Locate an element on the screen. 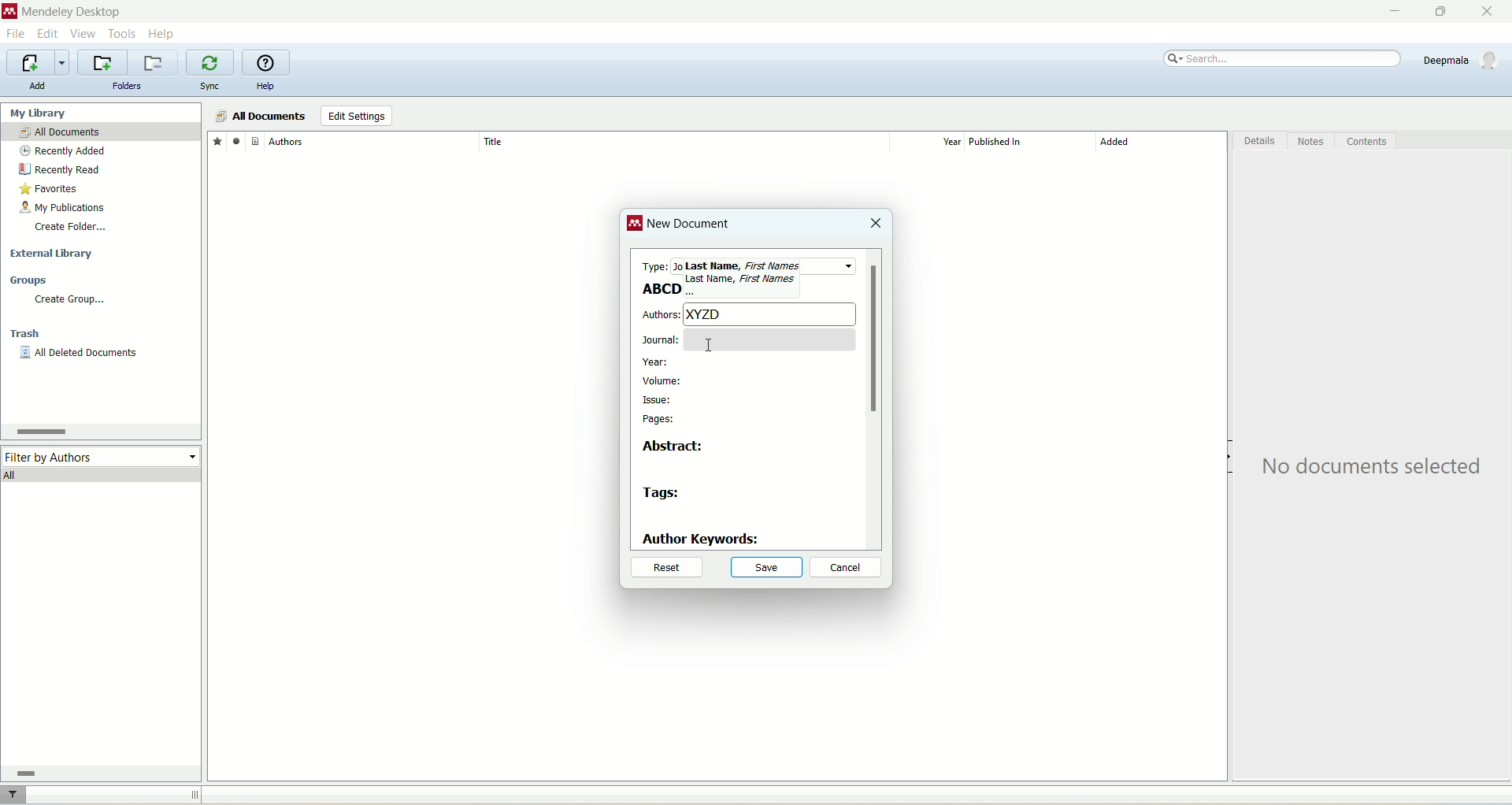  title is located at coordinates (683, 141).